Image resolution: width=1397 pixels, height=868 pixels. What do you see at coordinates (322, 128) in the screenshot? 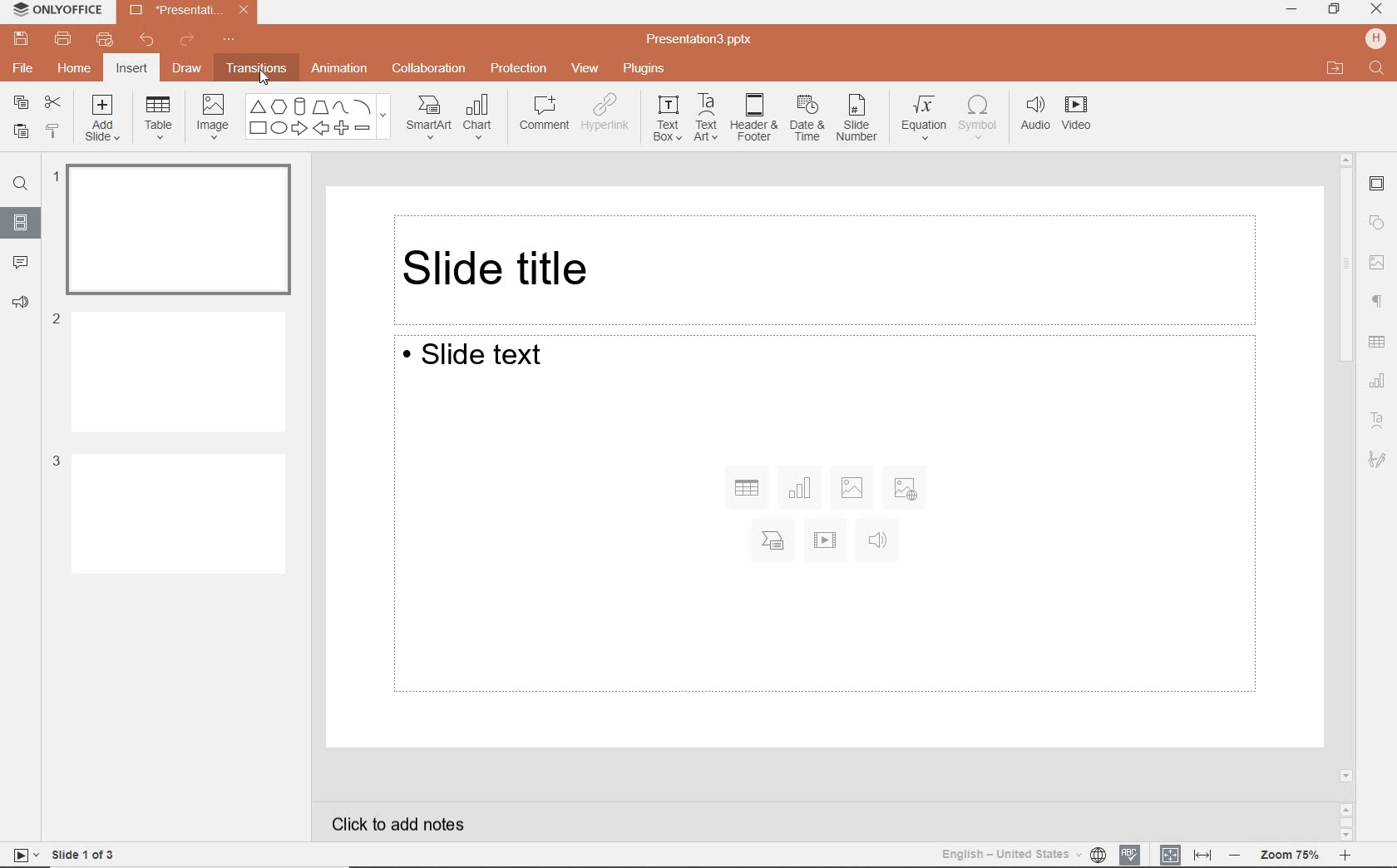
I see `BACK SIGN` at bounding box center [322, 128].